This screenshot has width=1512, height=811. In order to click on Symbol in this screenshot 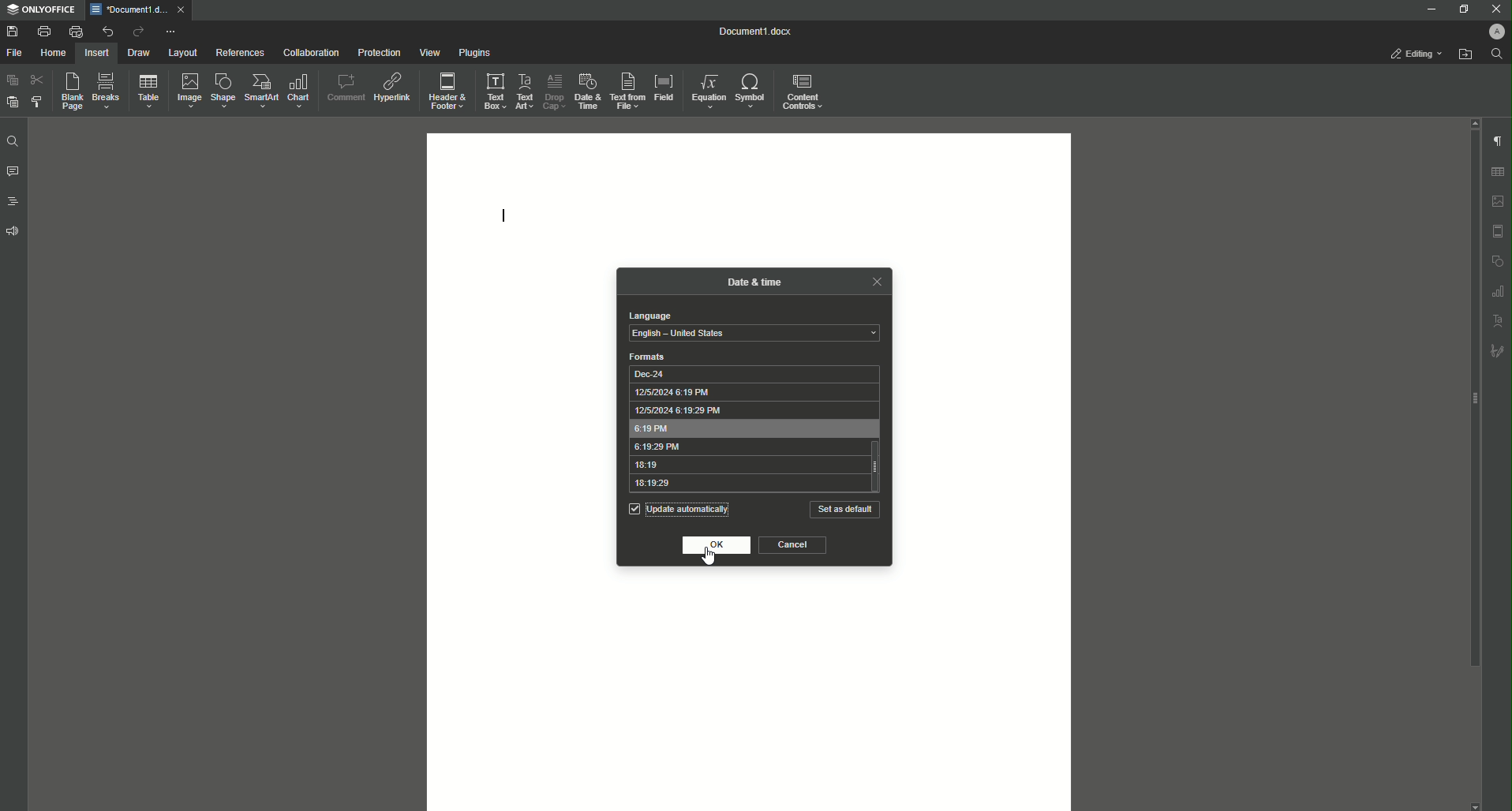, I will do `click(752, 92)`.